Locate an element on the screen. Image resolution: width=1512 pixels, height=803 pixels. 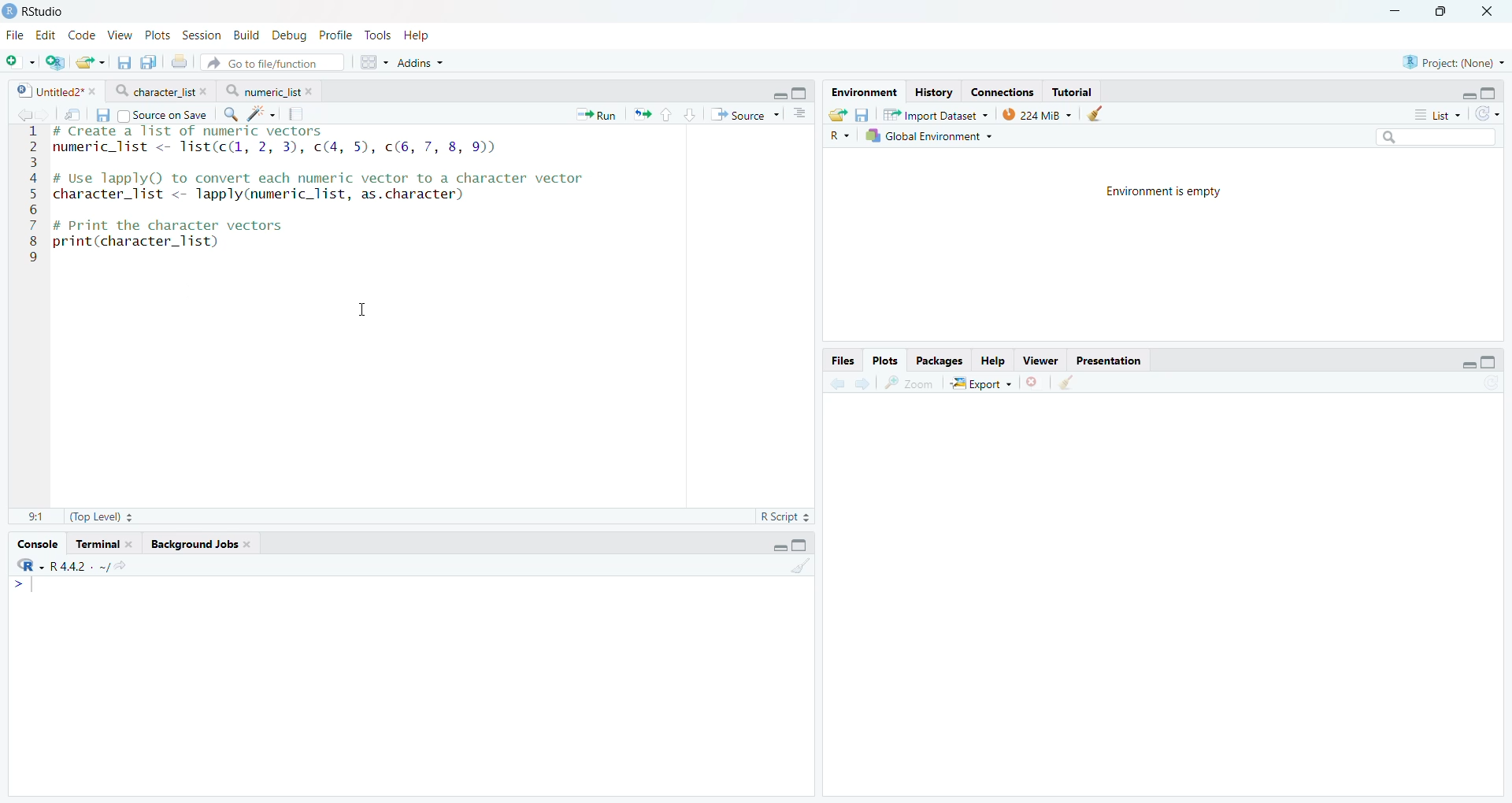
Minimize is located at coordinates (1398, 11).